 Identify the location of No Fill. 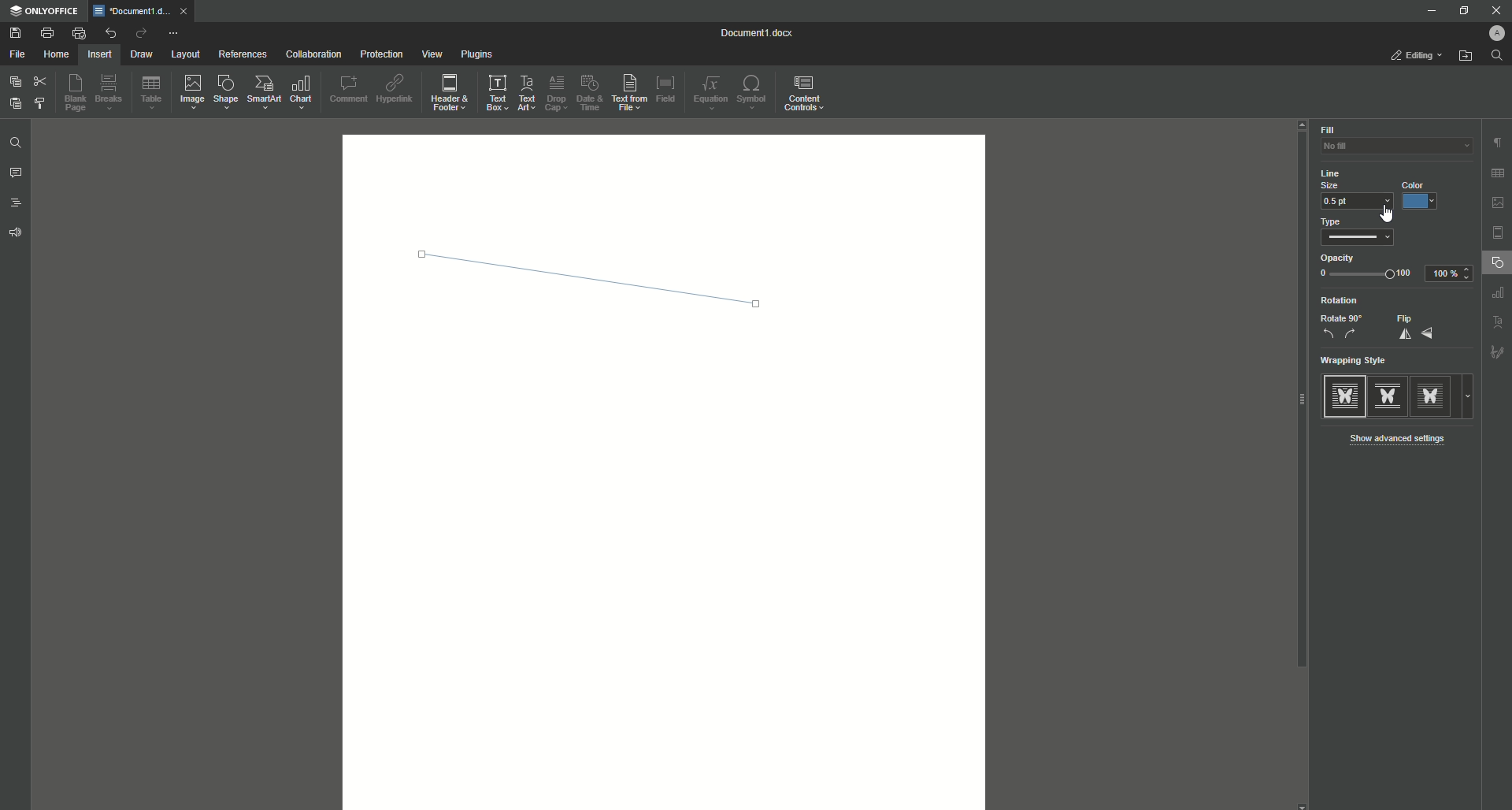
(1386, 151).